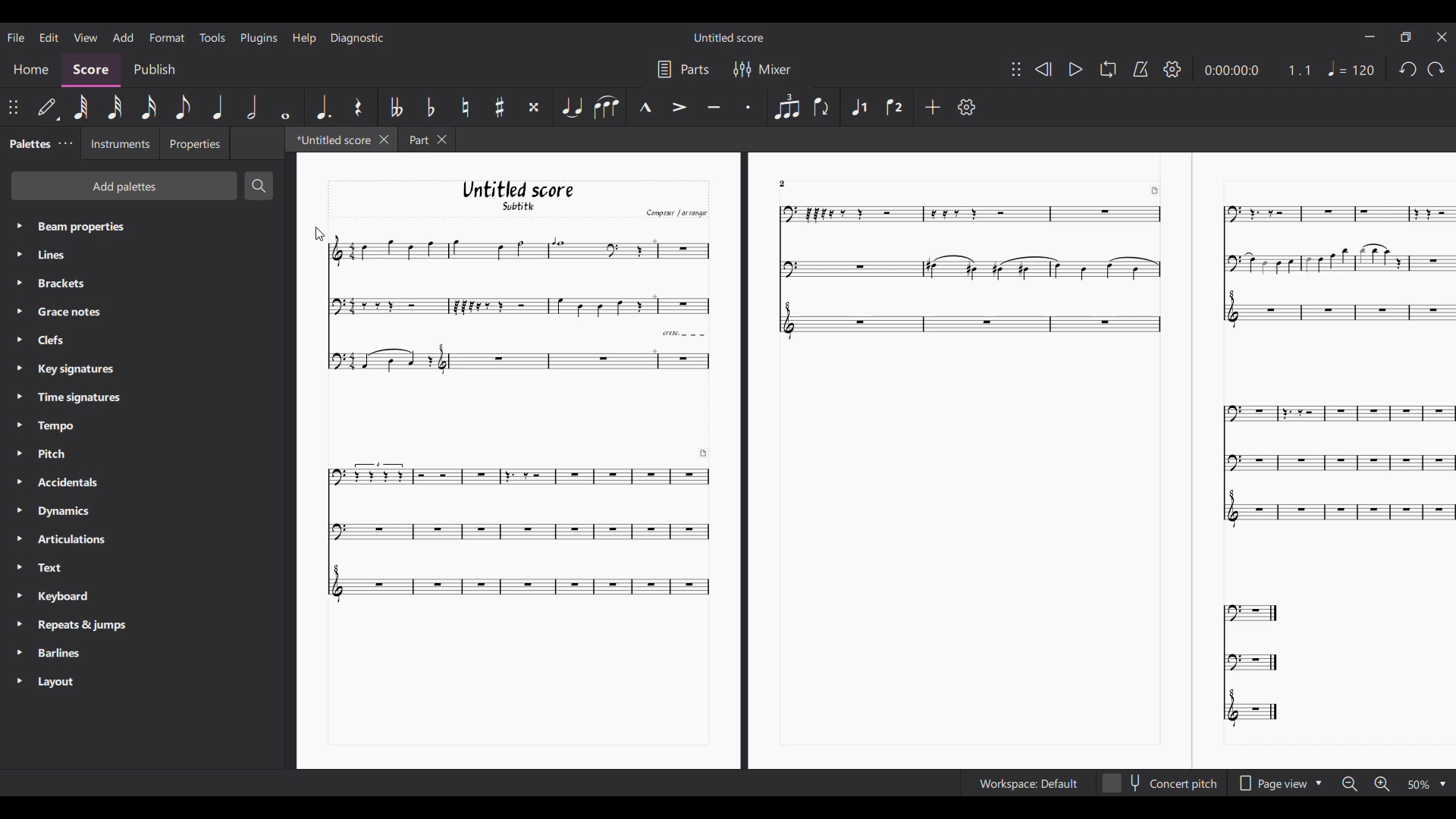 The image size is (1456, 819). Describe the element at coordinates (1436, 72) in the screenshot. I see `Undo` at that location.